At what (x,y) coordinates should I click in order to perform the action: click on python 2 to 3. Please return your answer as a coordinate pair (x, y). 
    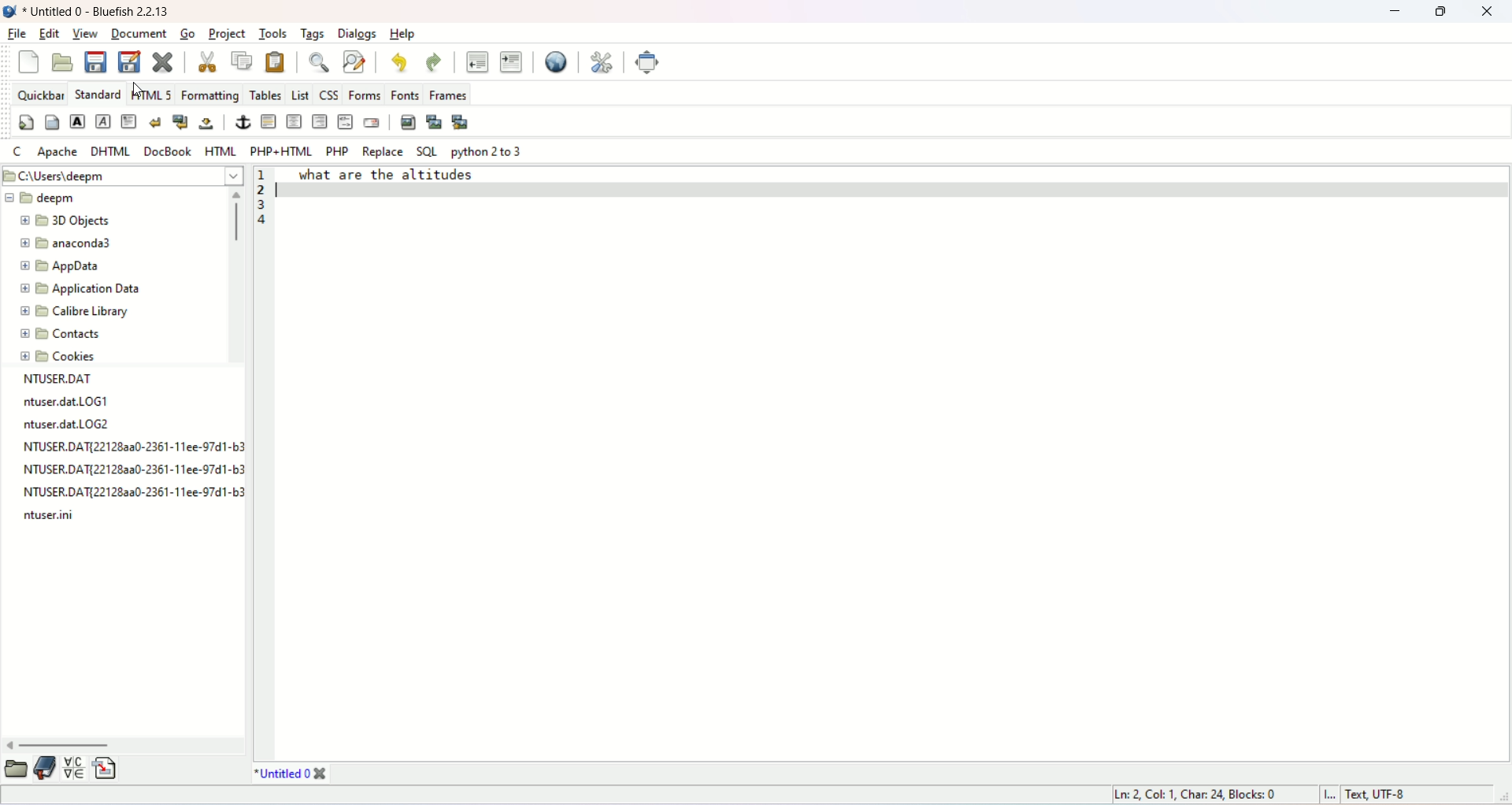
    Looking at the image, I should click on (487, 152).